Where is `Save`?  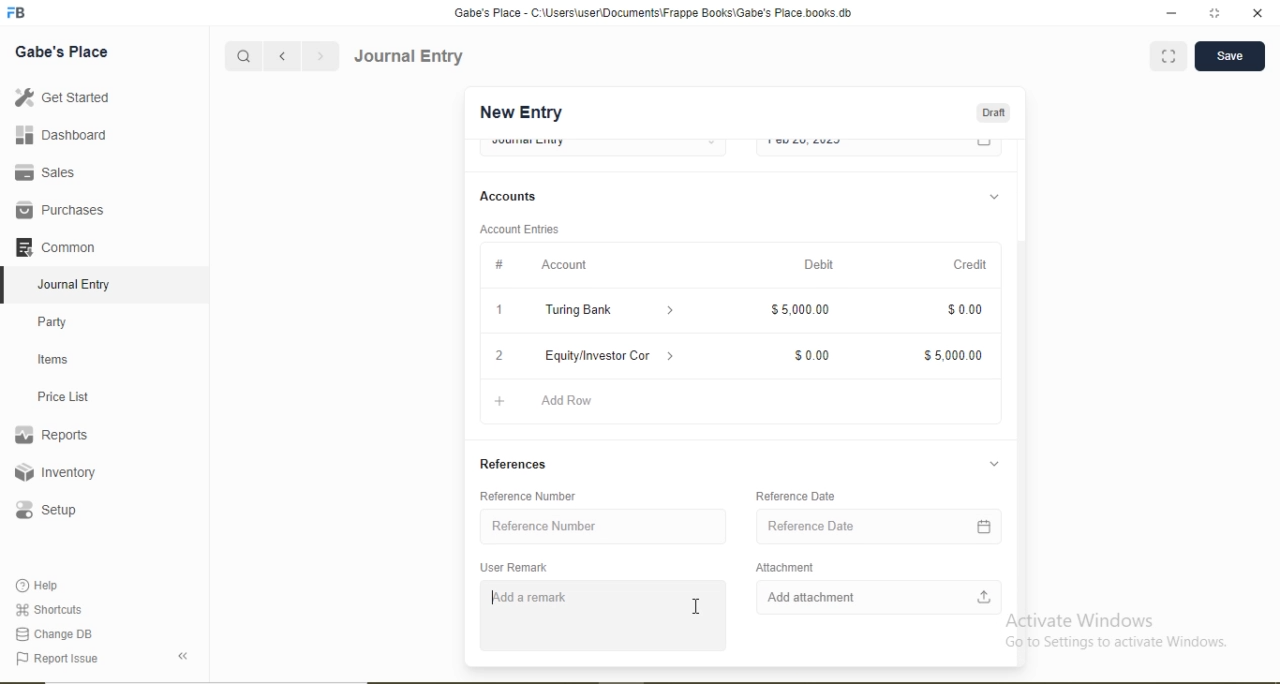
Save is located at coordinates (1229, 54).